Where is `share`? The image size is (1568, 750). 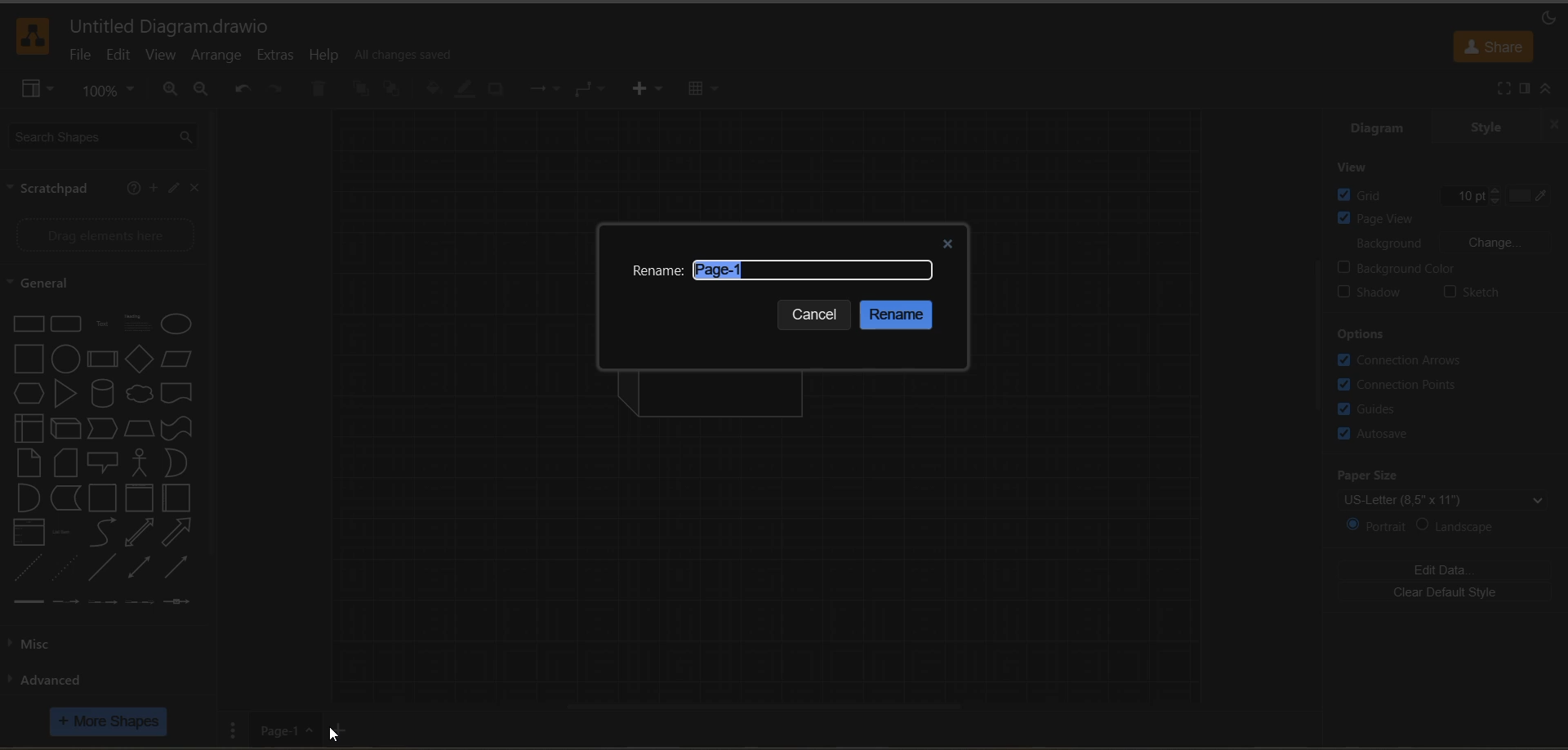
share is located at coordinates (1494, 47).